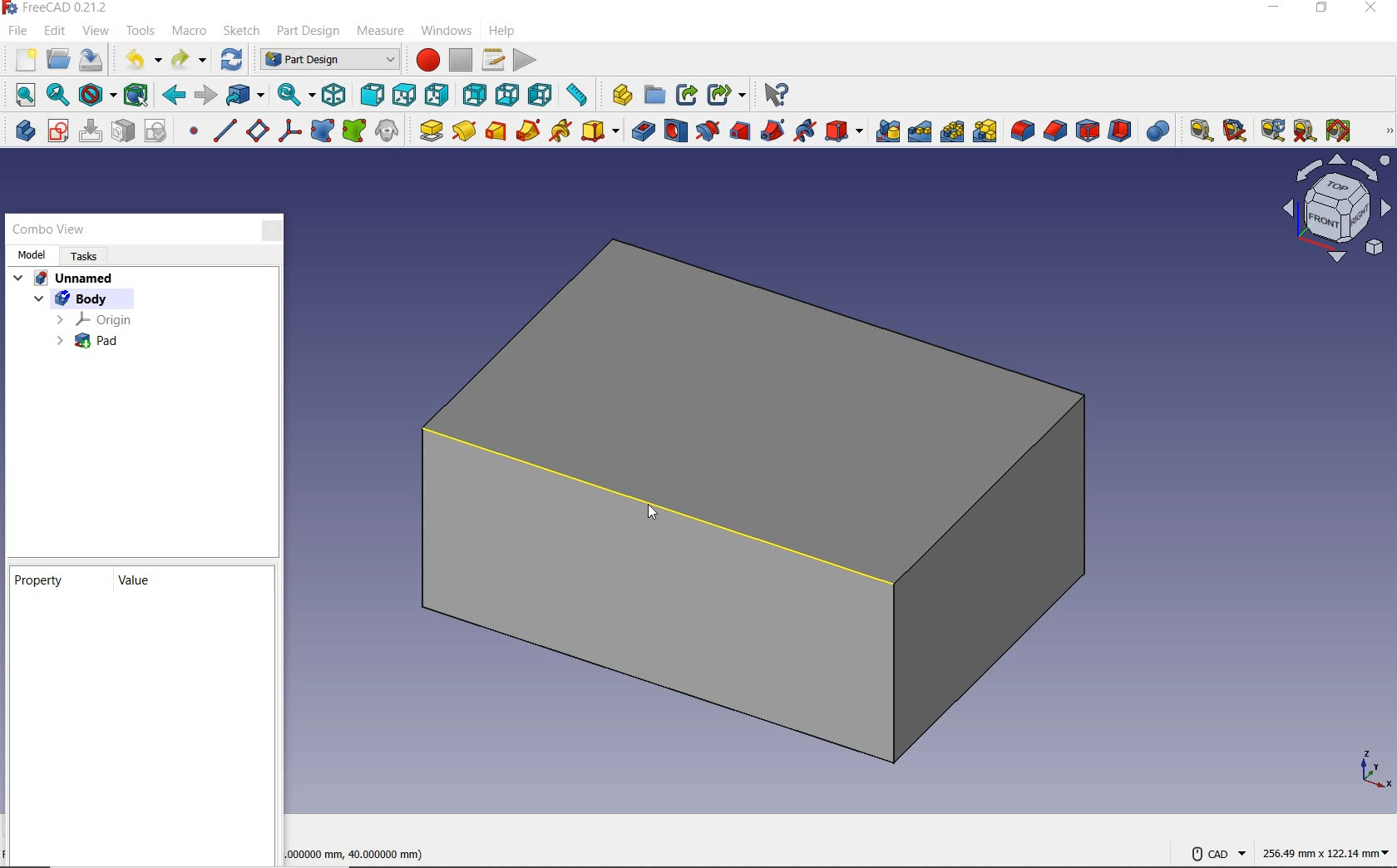 The height and width of the screenshot is (868, 1397). I want to click on draw style, so click(99, 96).